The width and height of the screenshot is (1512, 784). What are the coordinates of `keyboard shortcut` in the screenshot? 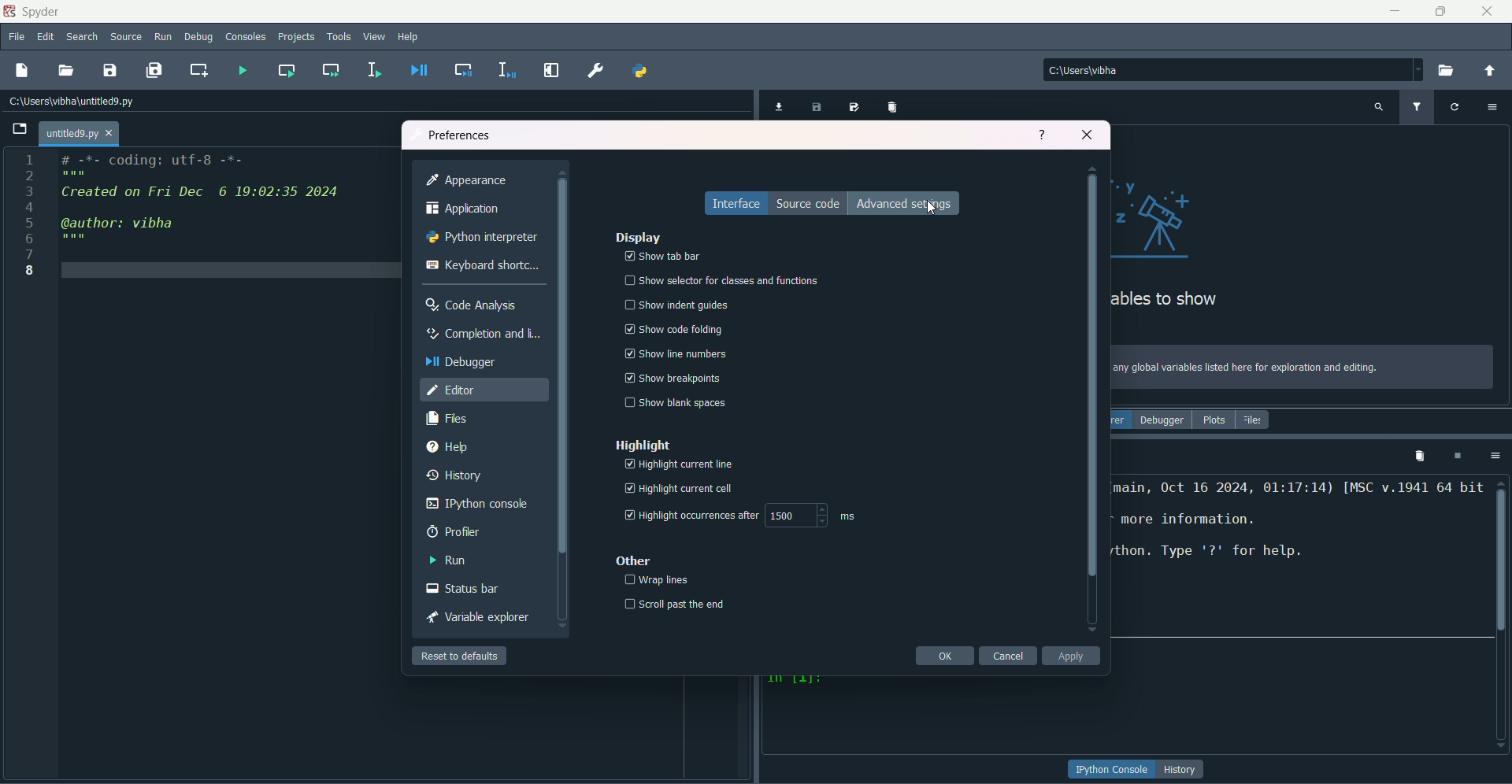 It's located at (484, 264).